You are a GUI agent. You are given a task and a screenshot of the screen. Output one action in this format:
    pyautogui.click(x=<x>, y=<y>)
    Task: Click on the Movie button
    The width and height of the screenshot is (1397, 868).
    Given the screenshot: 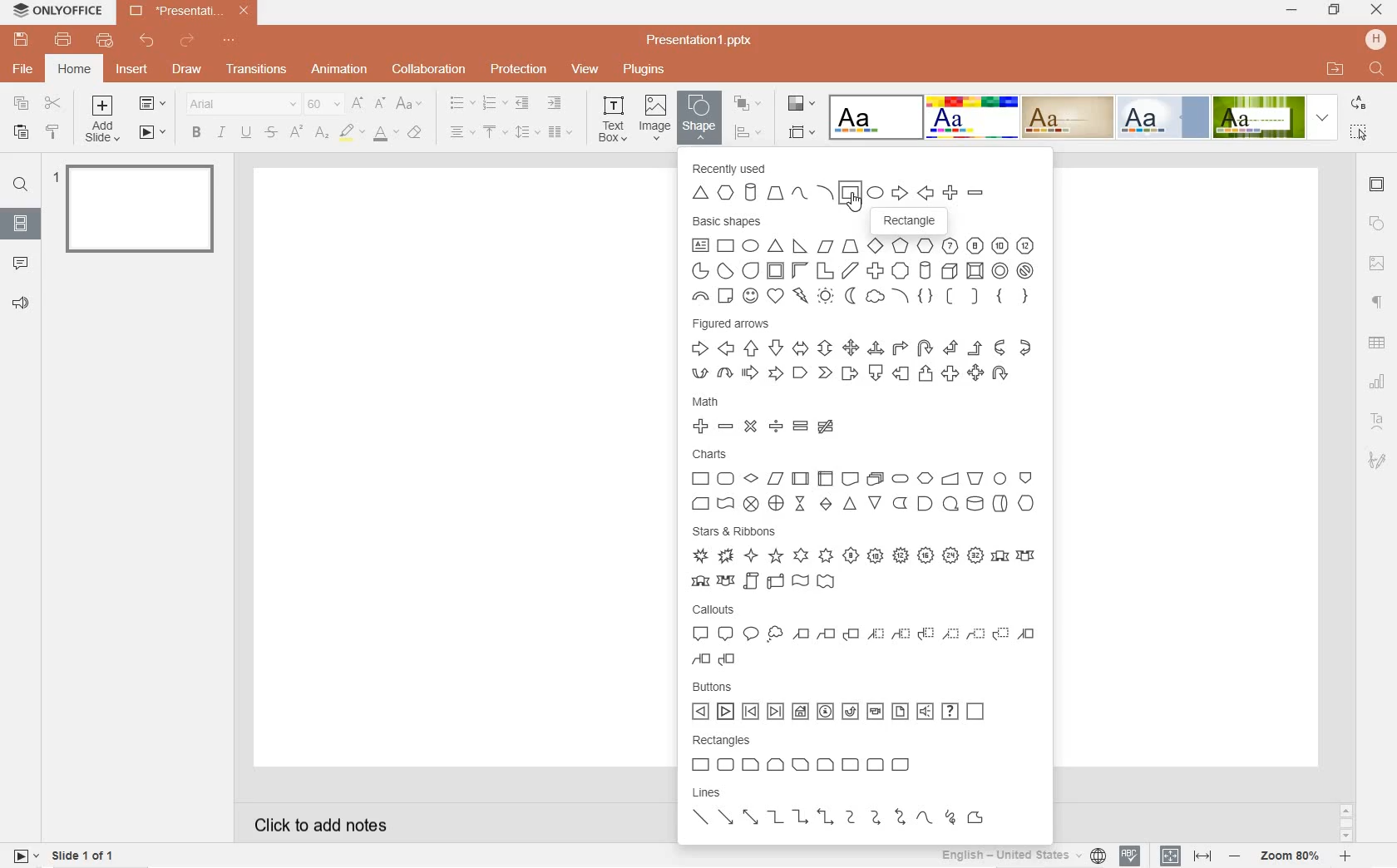 What is the action you would take?
    pyautogui.click(x=874, y=711)
    